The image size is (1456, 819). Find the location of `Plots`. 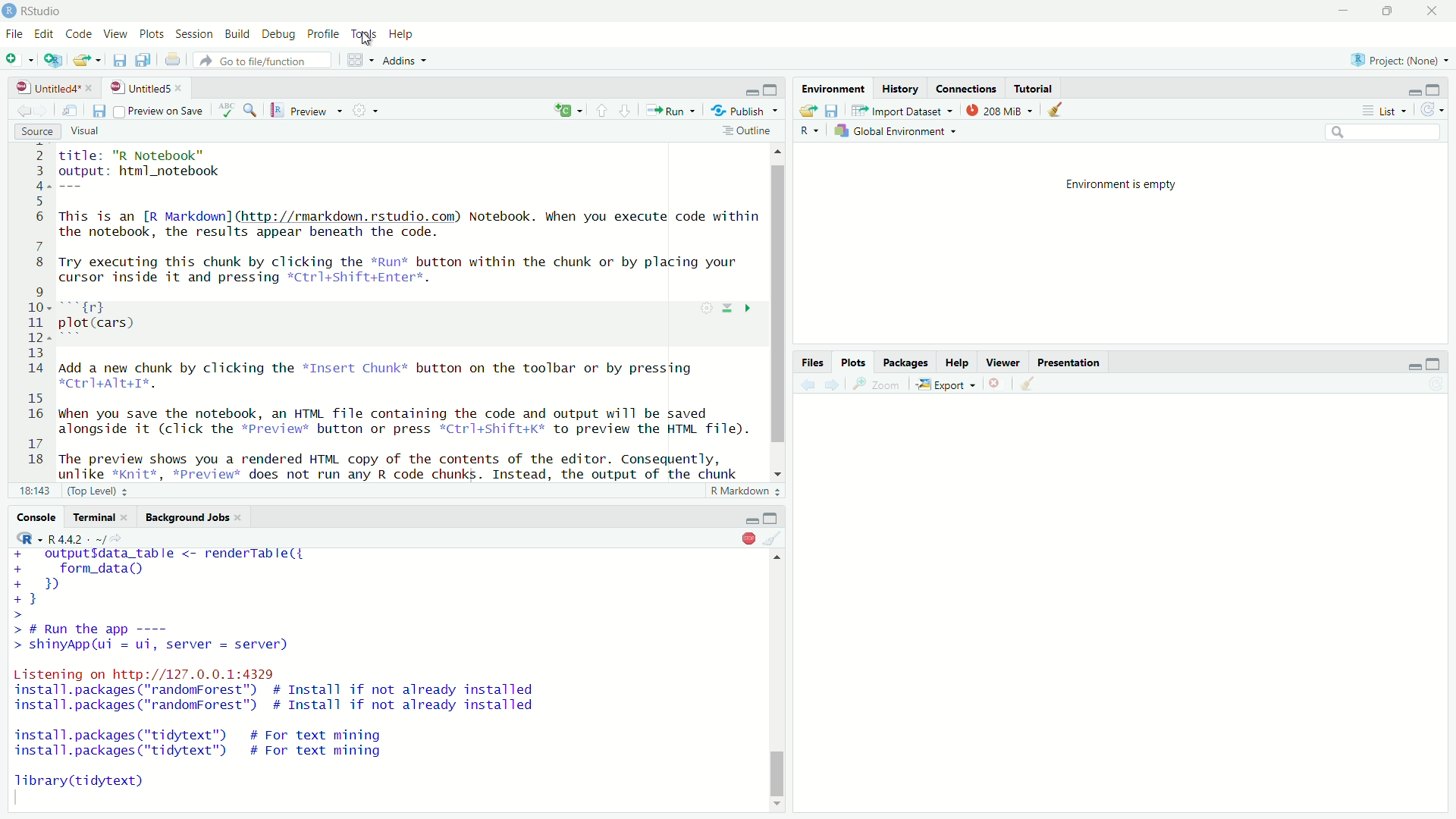

Plots is located at coordinates (853, 362).